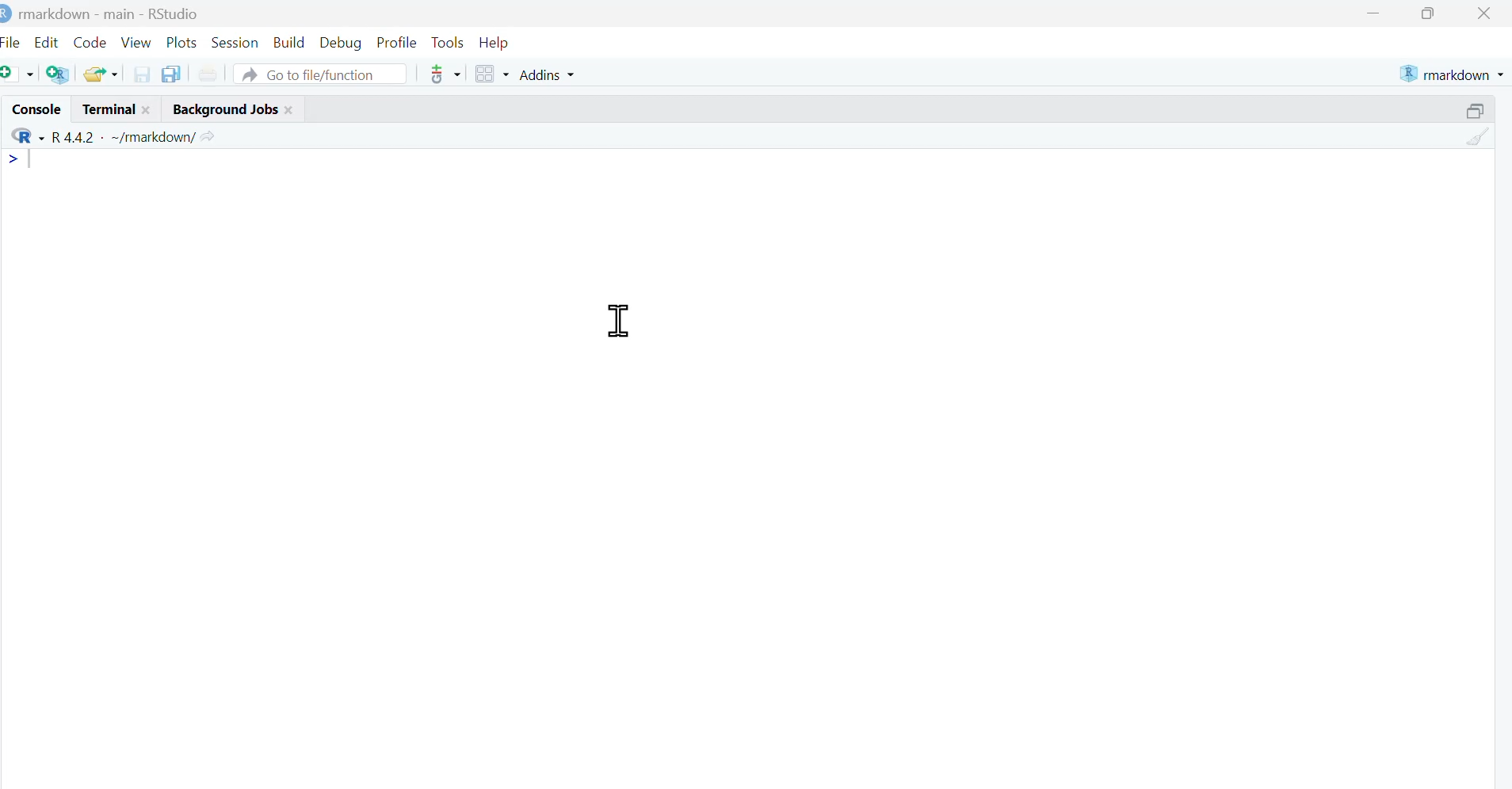 This screenshot has height=789, width=1512. Describe the element at coordinates (290, 39) in the screenshot. I see `Build` at that location.